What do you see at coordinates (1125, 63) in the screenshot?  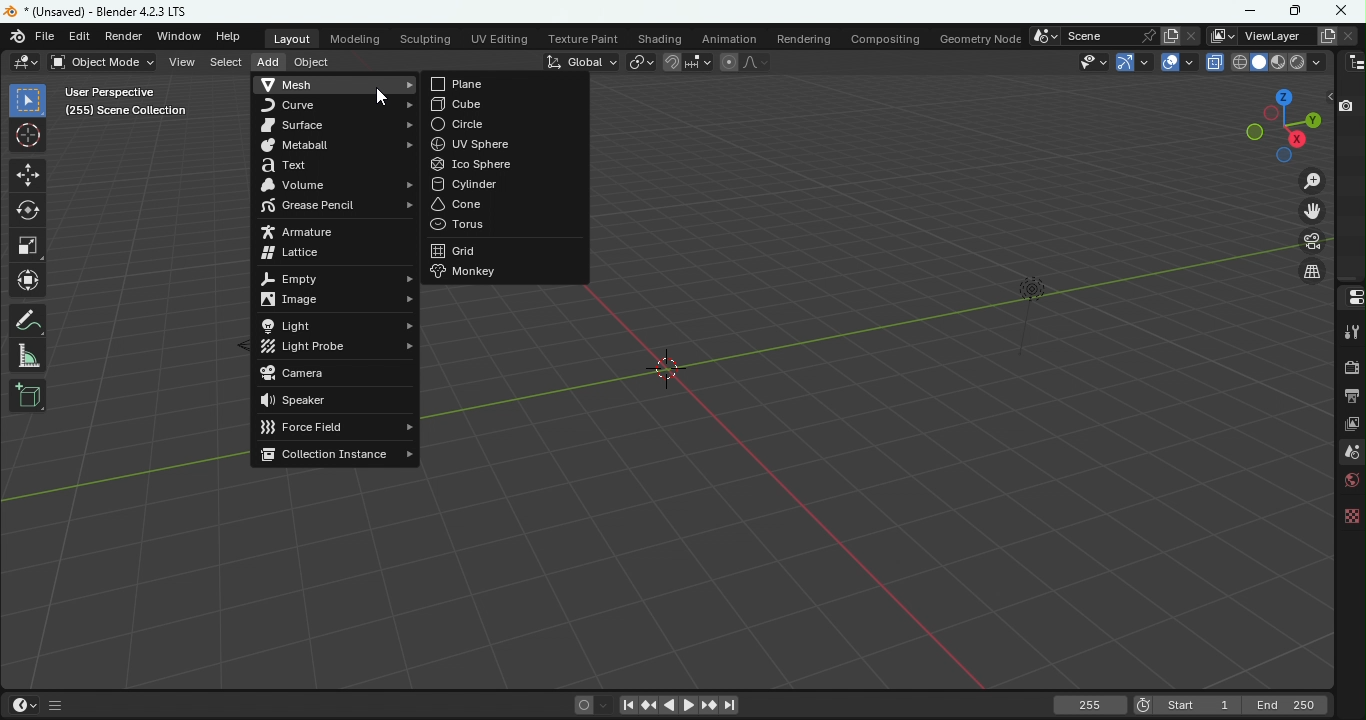 I see `Show Gizmo` at bounding box center [1125, 63].